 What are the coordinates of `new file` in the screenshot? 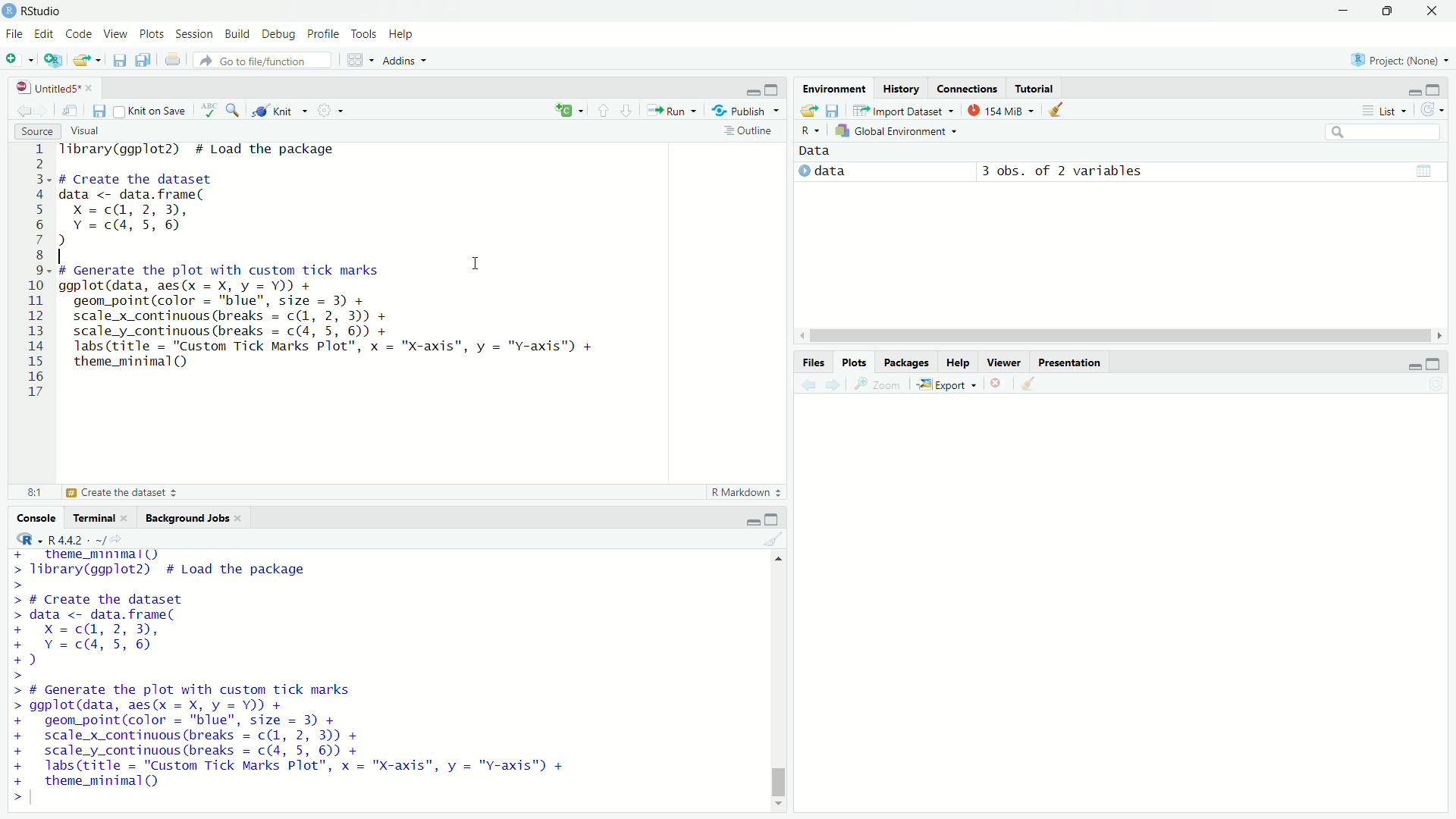 It's located at (19, 60).